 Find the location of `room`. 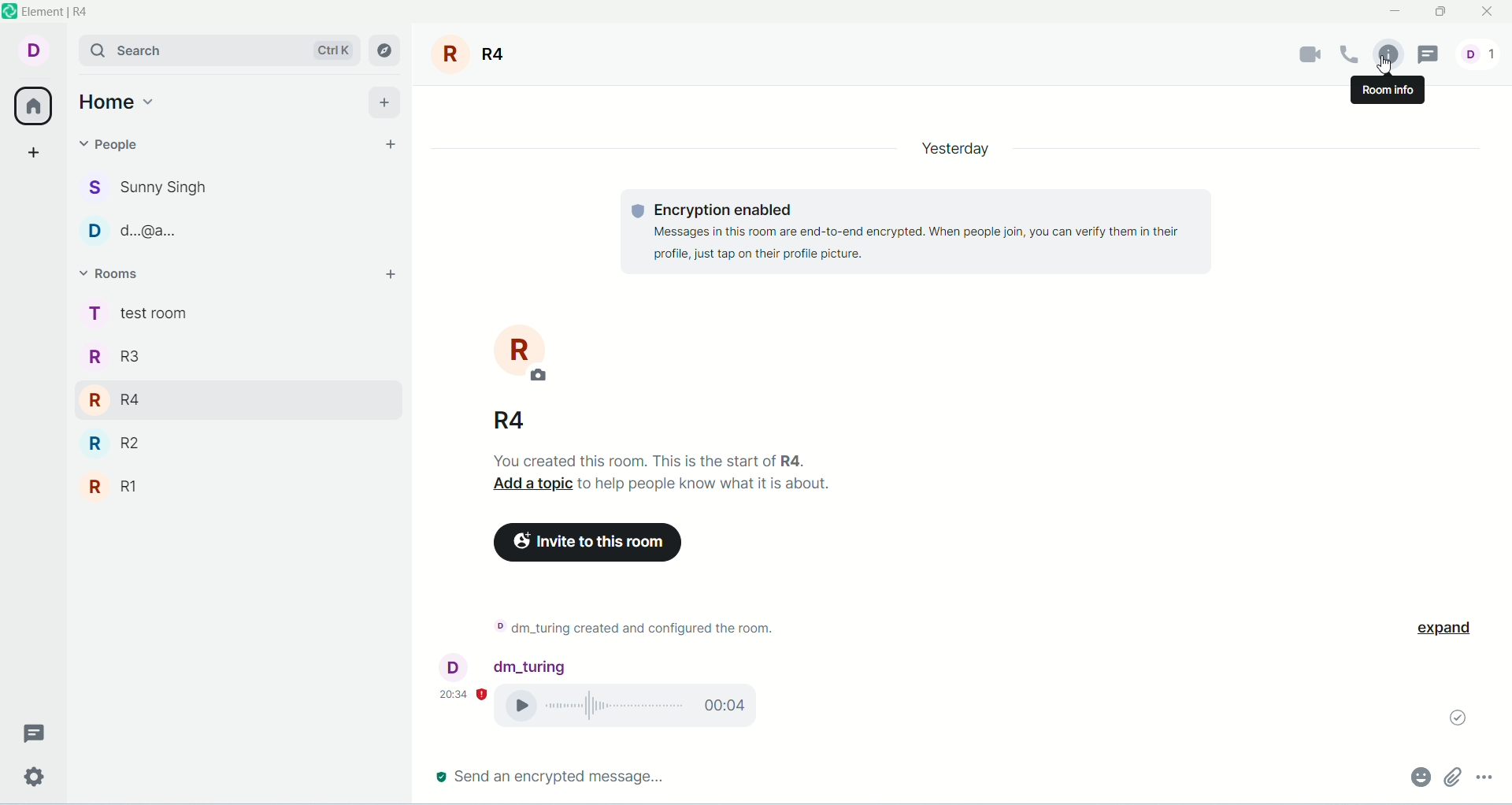

room is located at coordinates (474, 54).